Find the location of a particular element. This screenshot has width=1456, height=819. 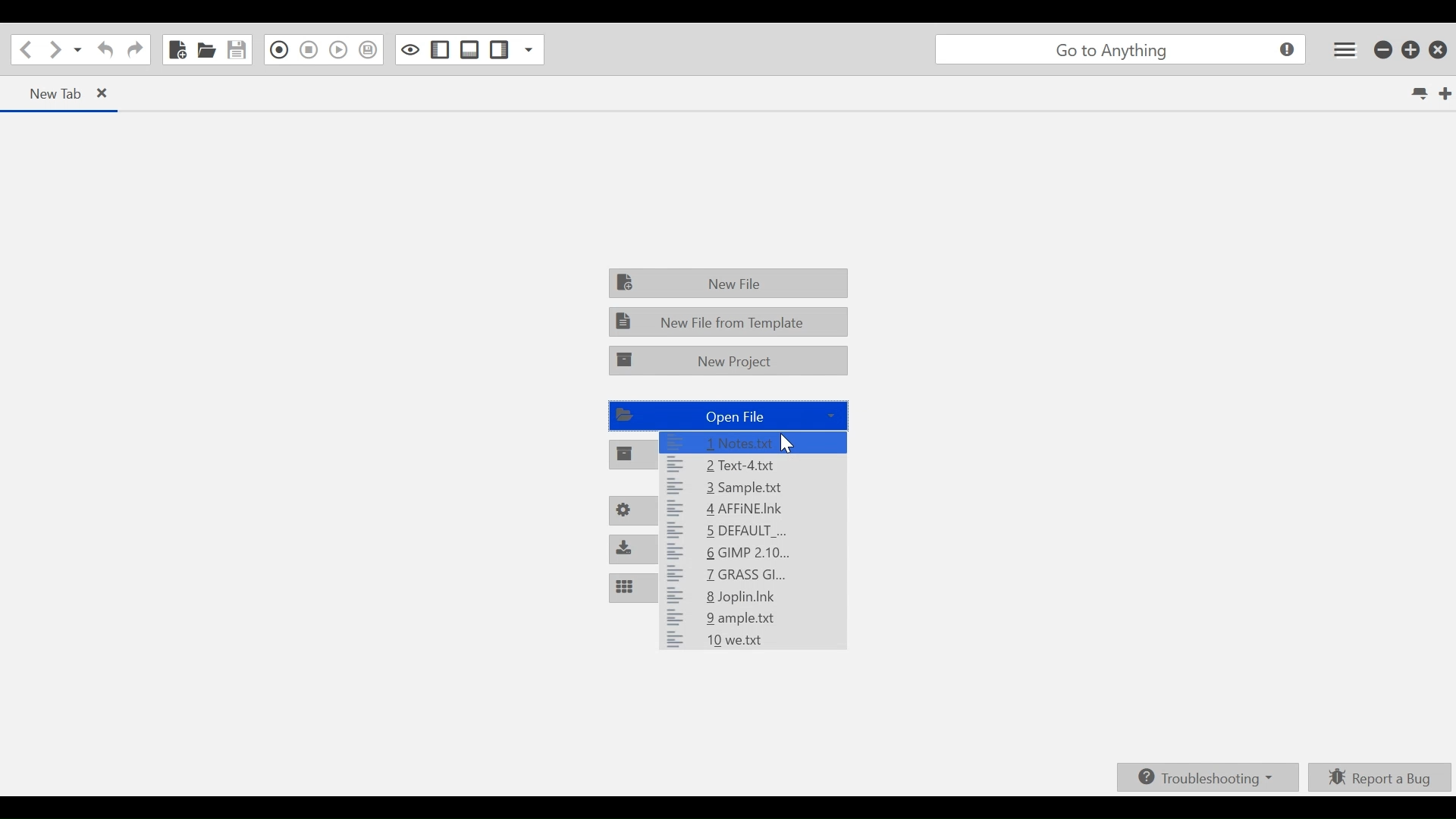

New File from Template is located at coordinates (727, 322).